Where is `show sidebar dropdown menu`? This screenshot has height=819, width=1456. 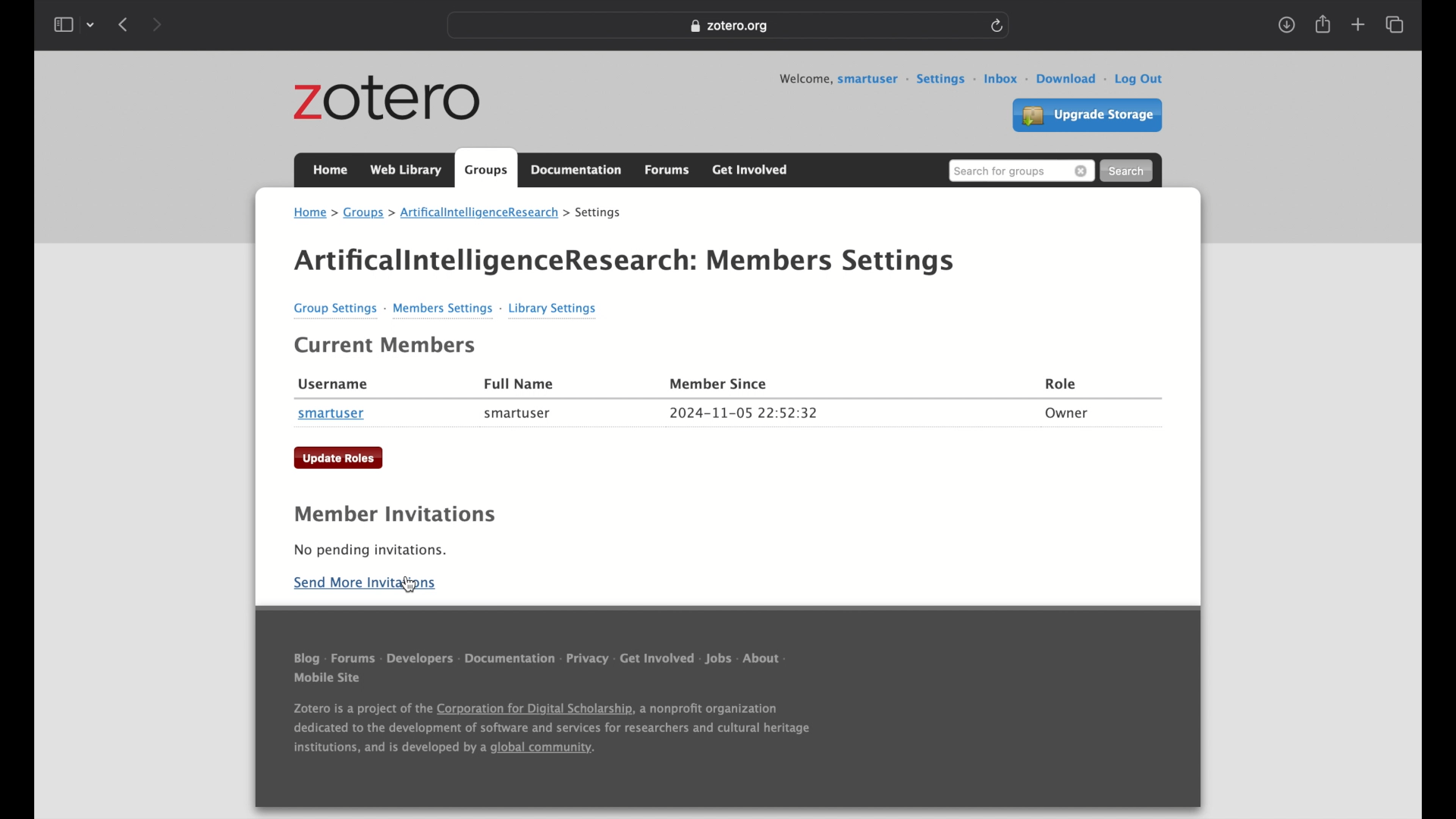
show sidebar dropdown menu is located at coordinates (74, 25).